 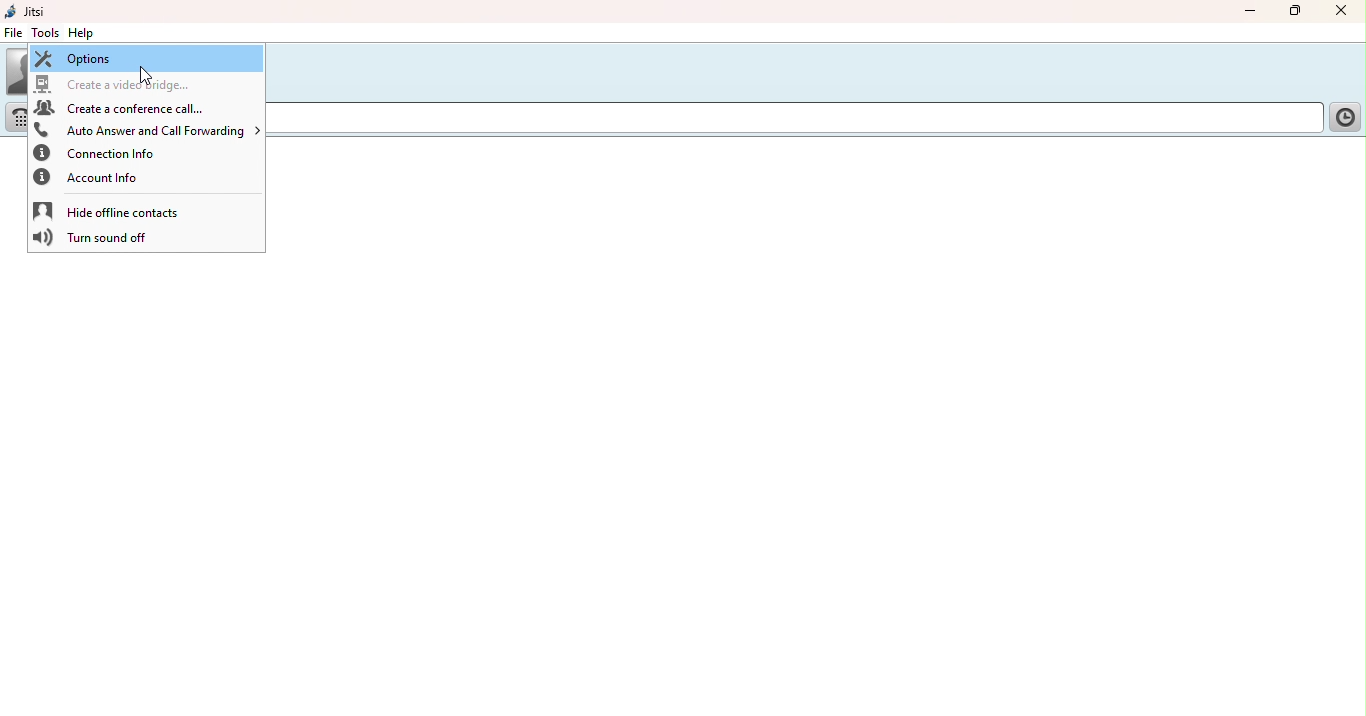 What do you see at coordinates (13, 35) in the screenshot?
I see `file` at bounding box center [13, 35].